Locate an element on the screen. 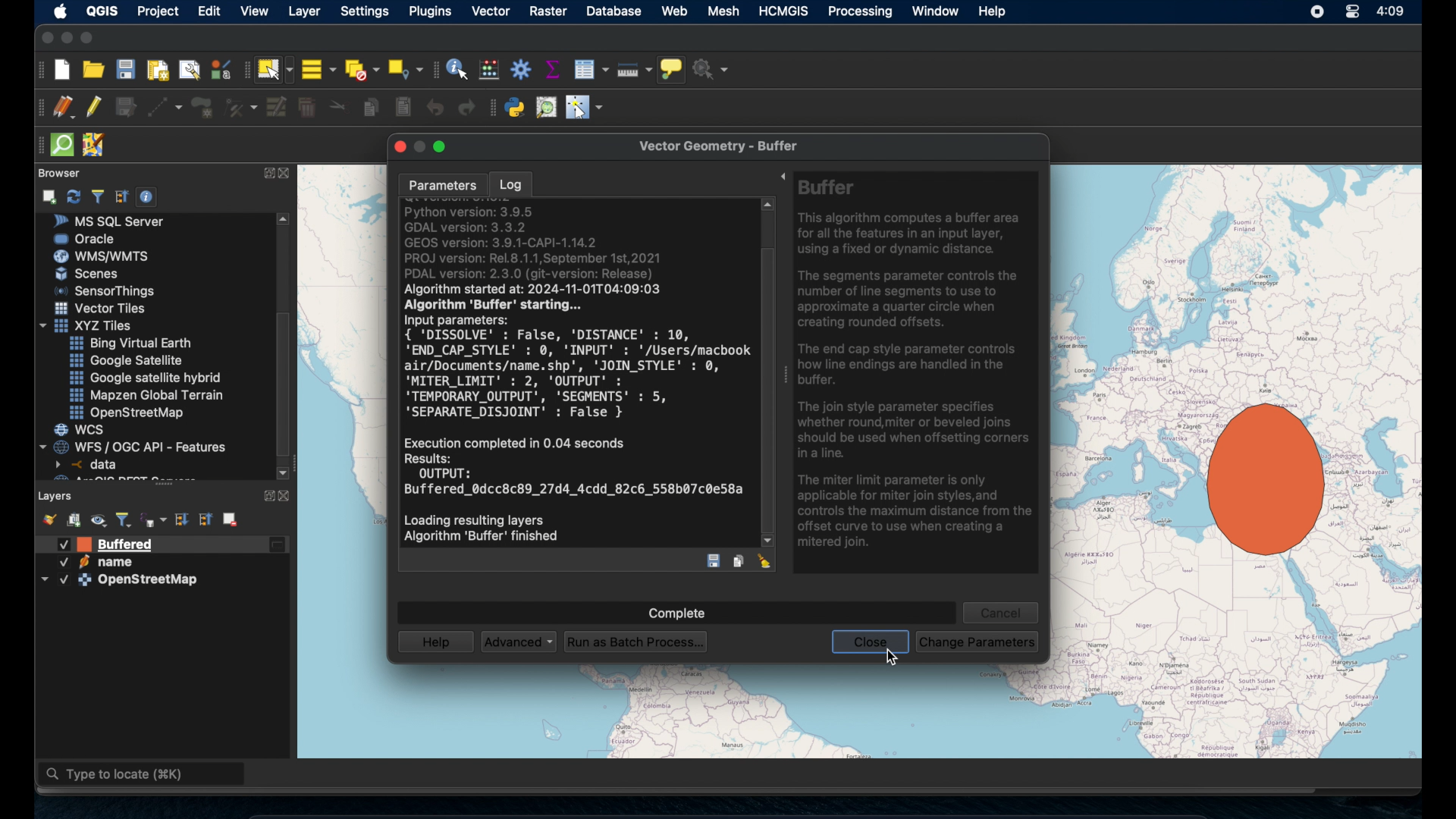 The width and height of the screenshot is (1456, 819). vertex tool is located at coordinates (240, 105).